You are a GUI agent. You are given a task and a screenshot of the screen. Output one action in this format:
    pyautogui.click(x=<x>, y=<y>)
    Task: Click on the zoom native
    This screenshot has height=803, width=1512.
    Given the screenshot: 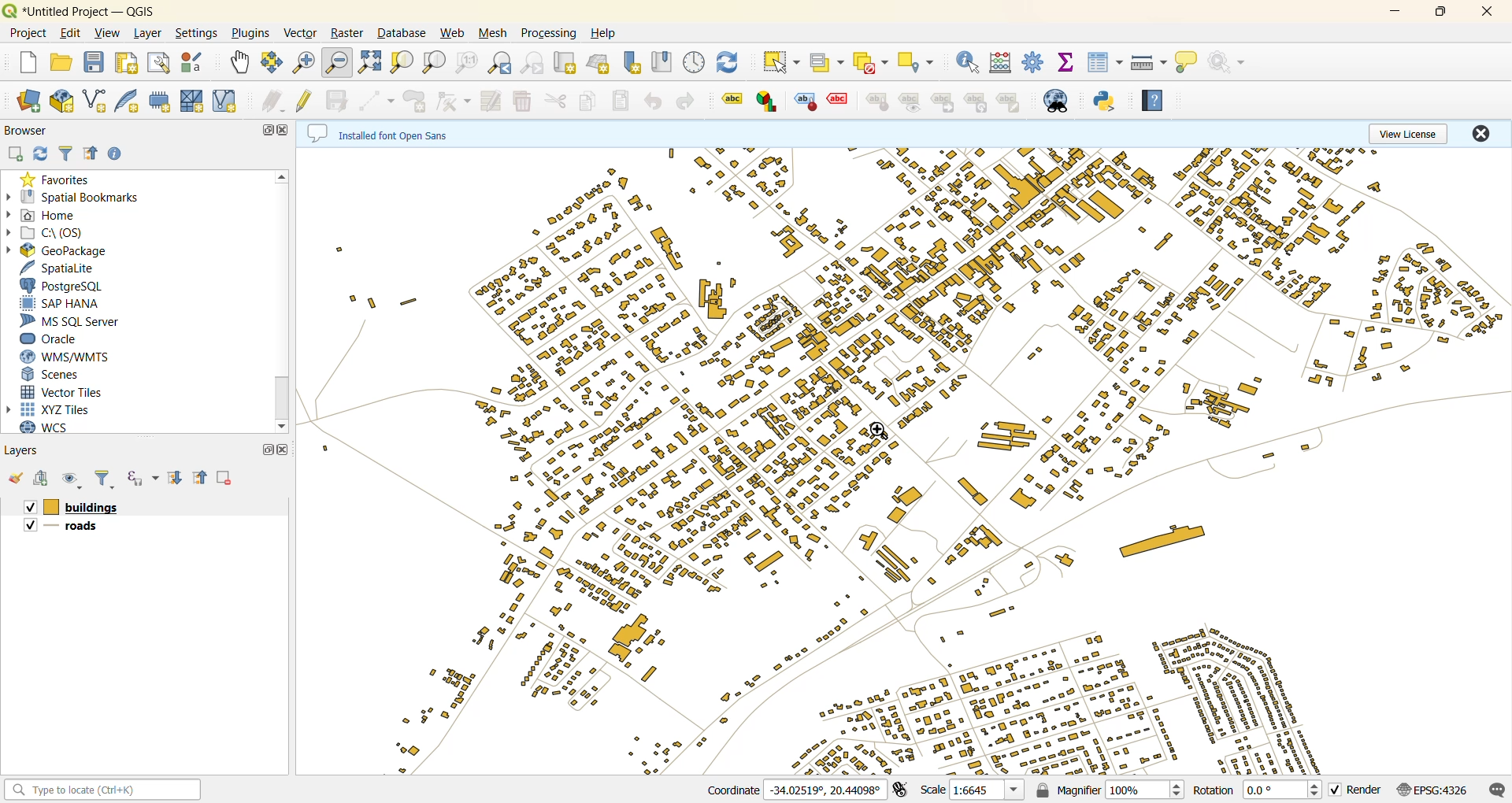 What is the action you would take?
    pyautogui.click(x=469, y=61)
    